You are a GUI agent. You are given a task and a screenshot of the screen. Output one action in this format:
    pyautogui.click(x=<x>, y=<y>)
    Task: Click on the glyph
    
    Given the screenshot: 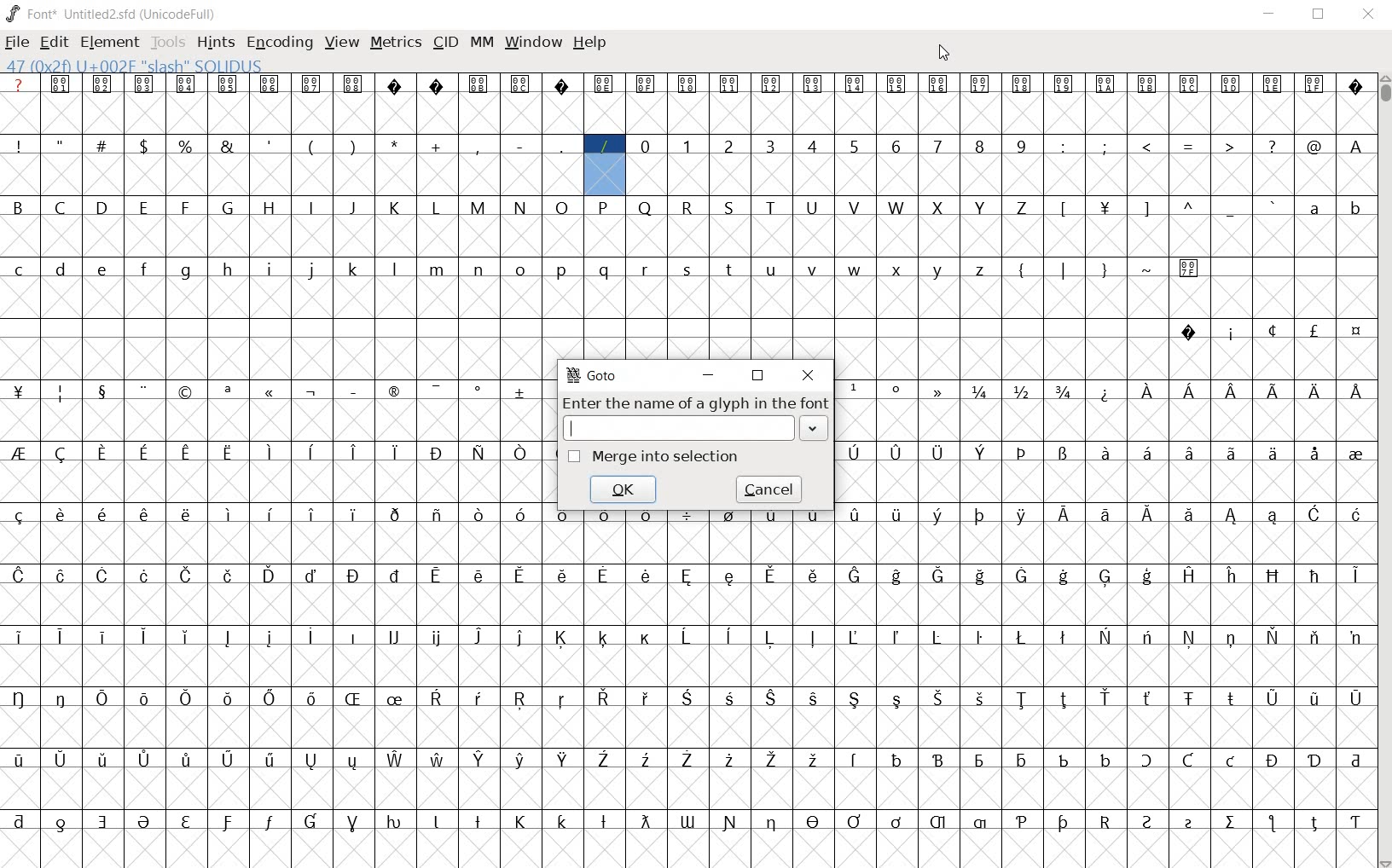 What is the action you would take?
    pyautogui.click(x=979, y=146)
    